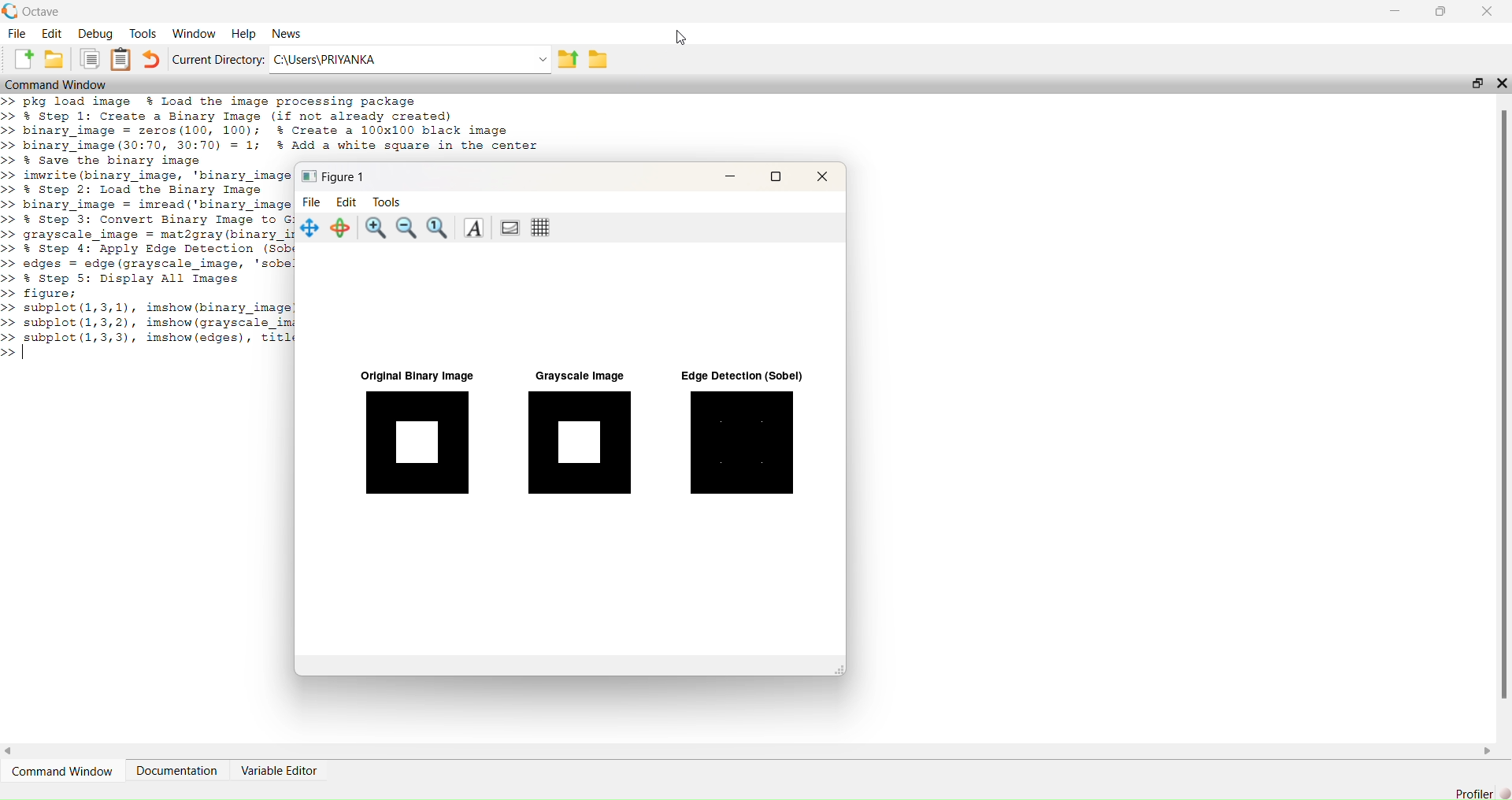 The height and width of the screenshot is (800, 1512). I want to click on folder, so click(598, 58).